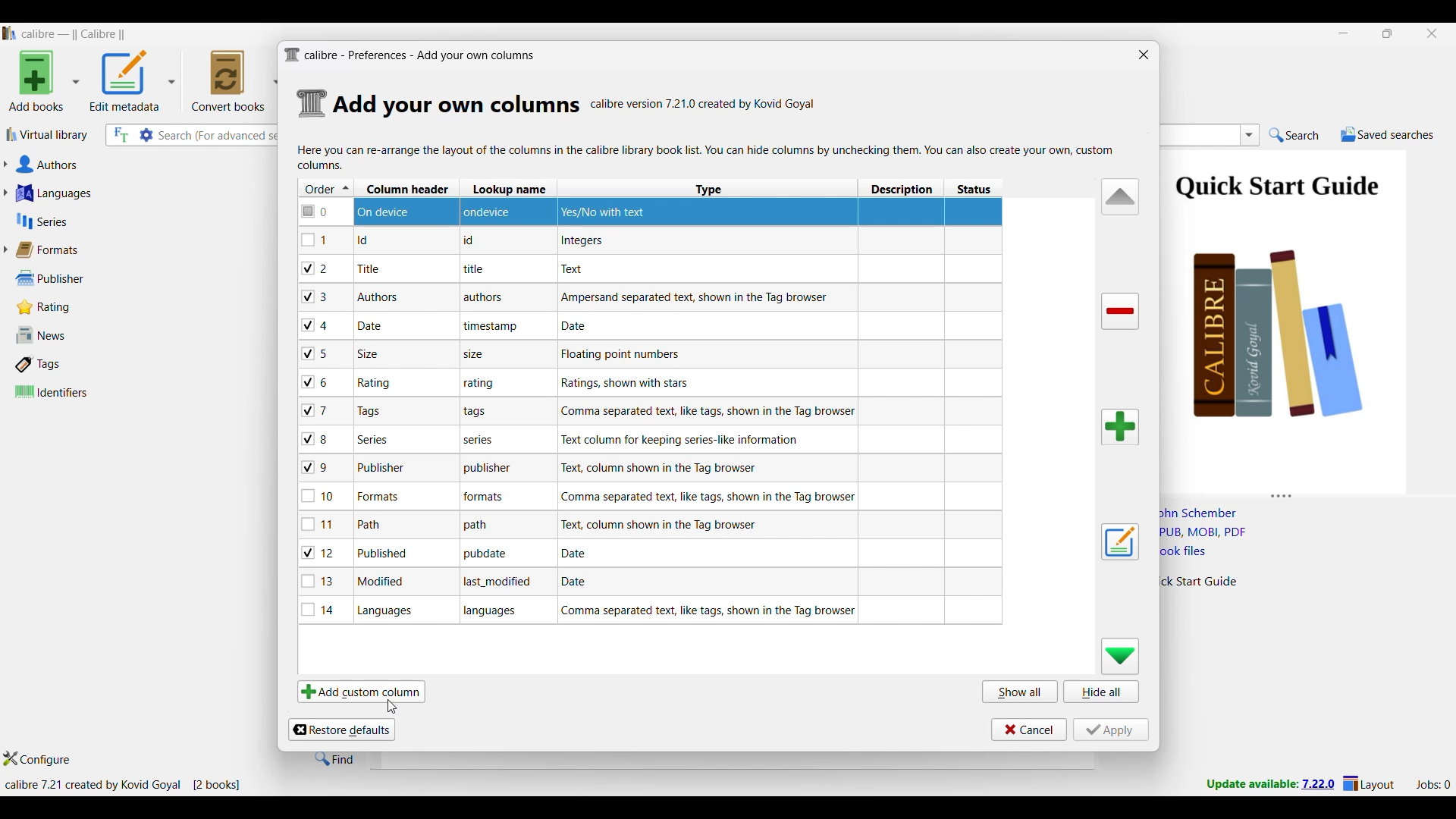  I want to click on Device, so click(395, 213).